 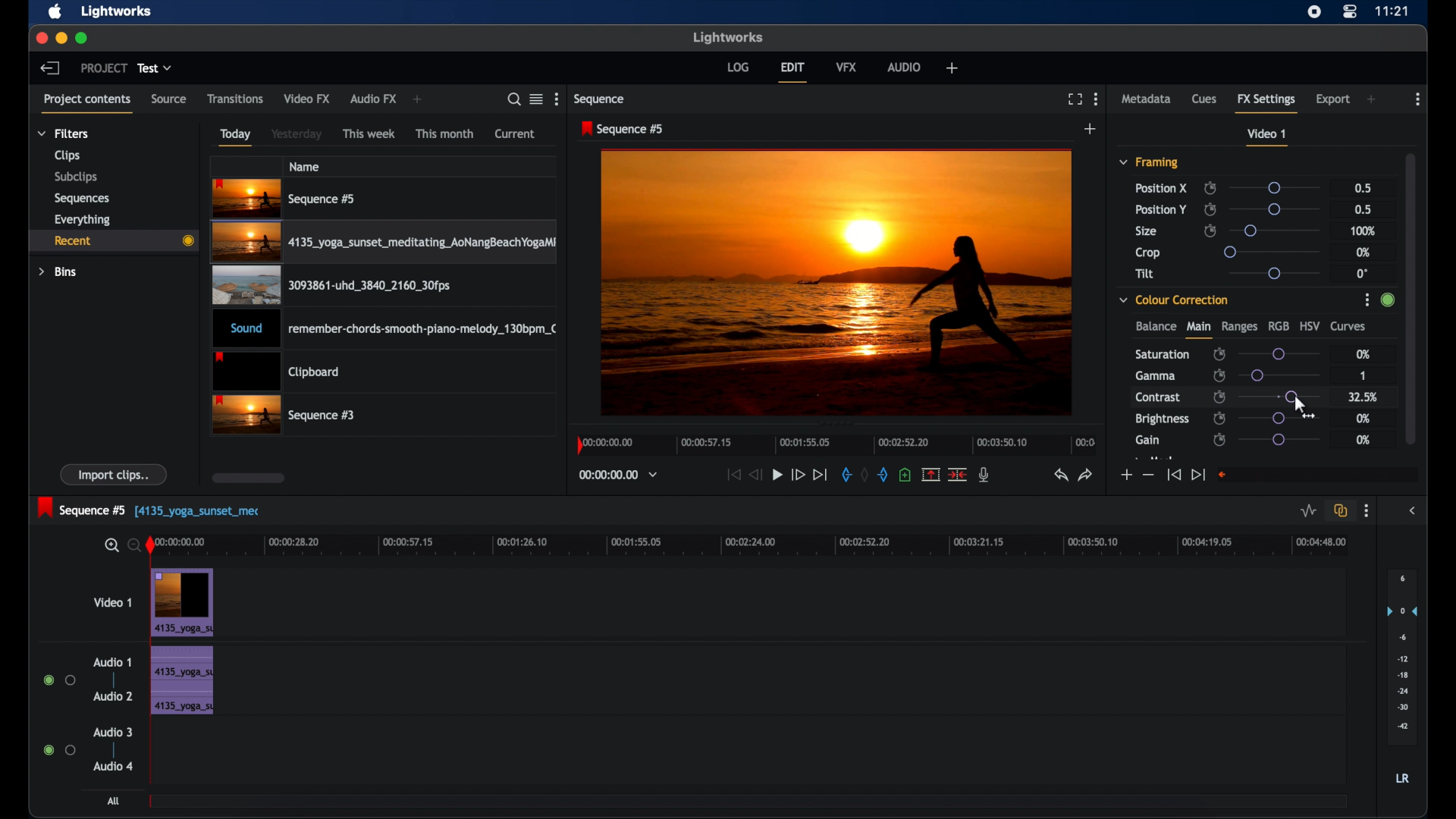 What do you see at coordinates (1269, 252) in the screenshot?
I see `slider` at bounding box center [1269, 252].